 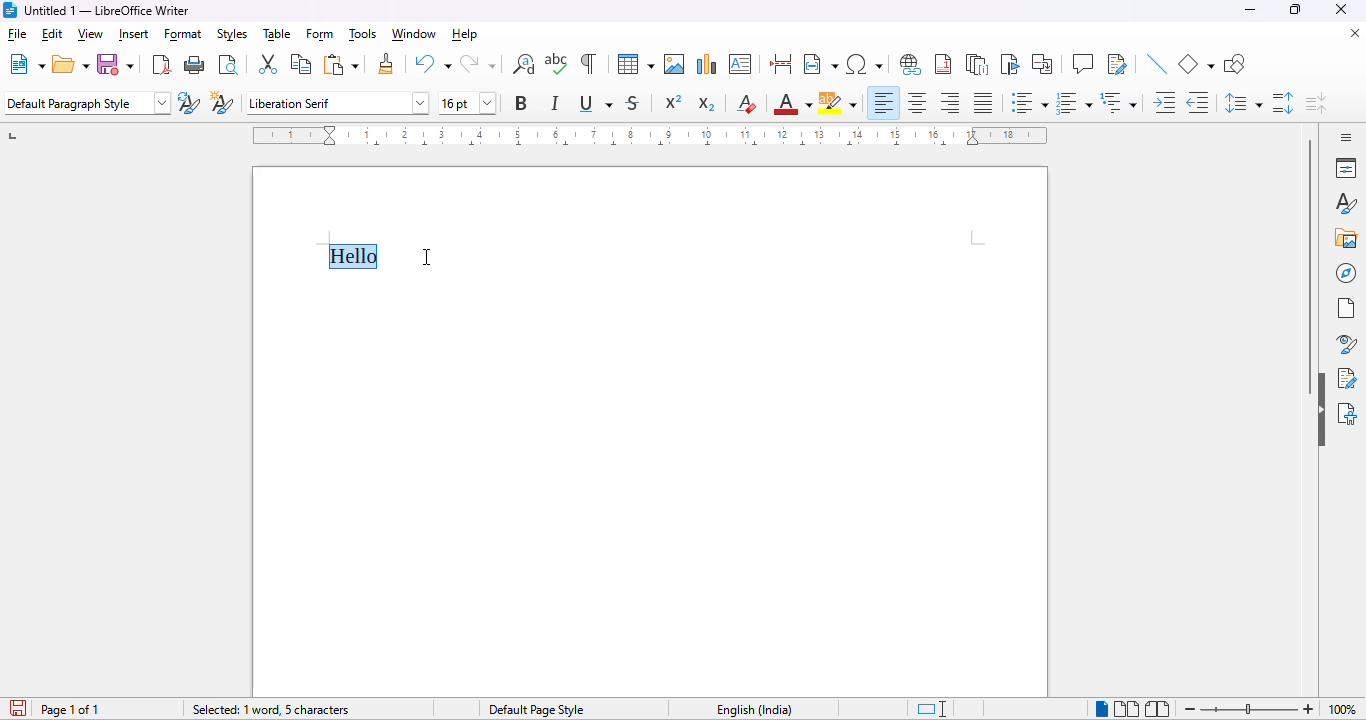 What do you see at coordinates (636, 64) in the screenshot?
I see `insert table` at bounding box center [636, 64].